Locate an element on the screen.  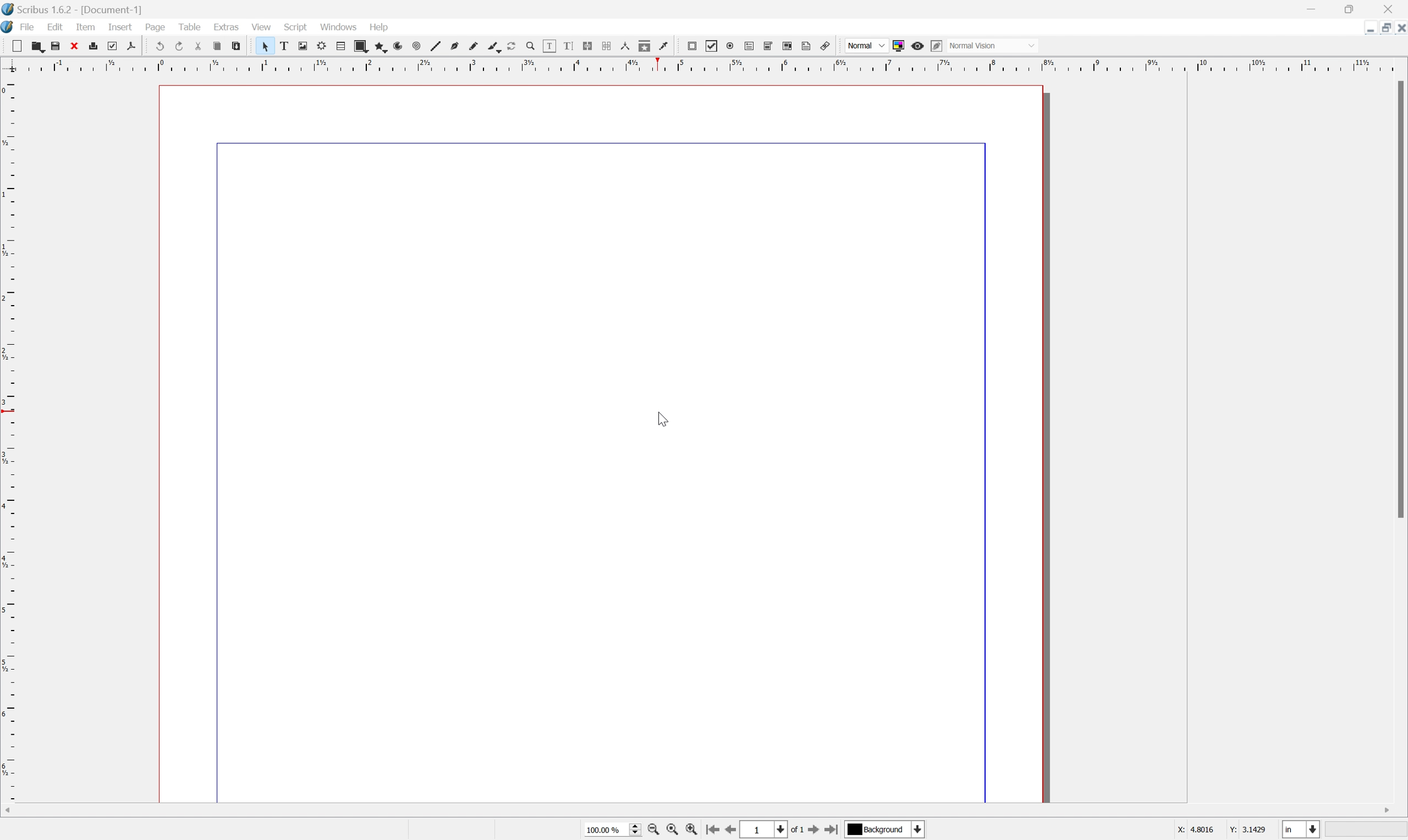
normal is located at coordinates (866, 45).